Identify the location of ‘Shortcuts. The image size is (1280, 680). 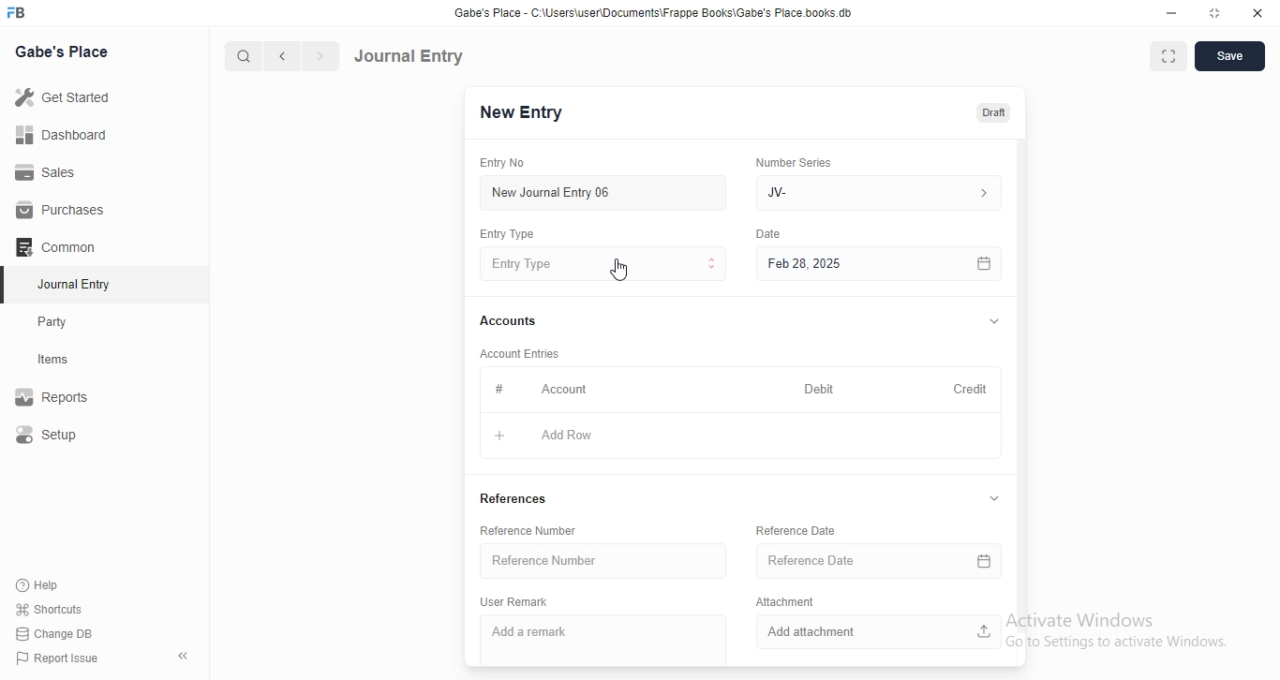
(62, 609).